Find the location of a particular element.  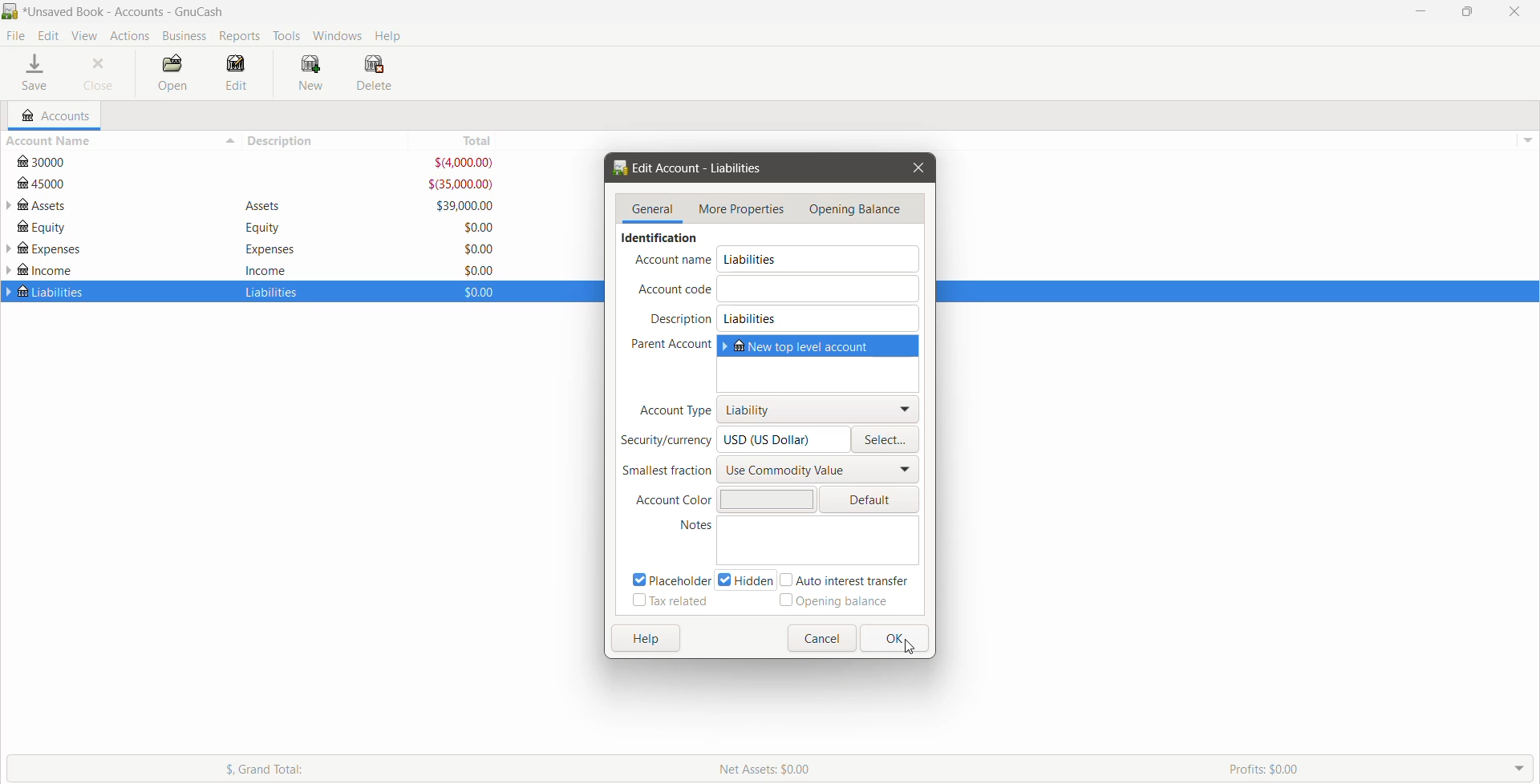

details of the account "Expenses" is located at coordinates (265, 249).